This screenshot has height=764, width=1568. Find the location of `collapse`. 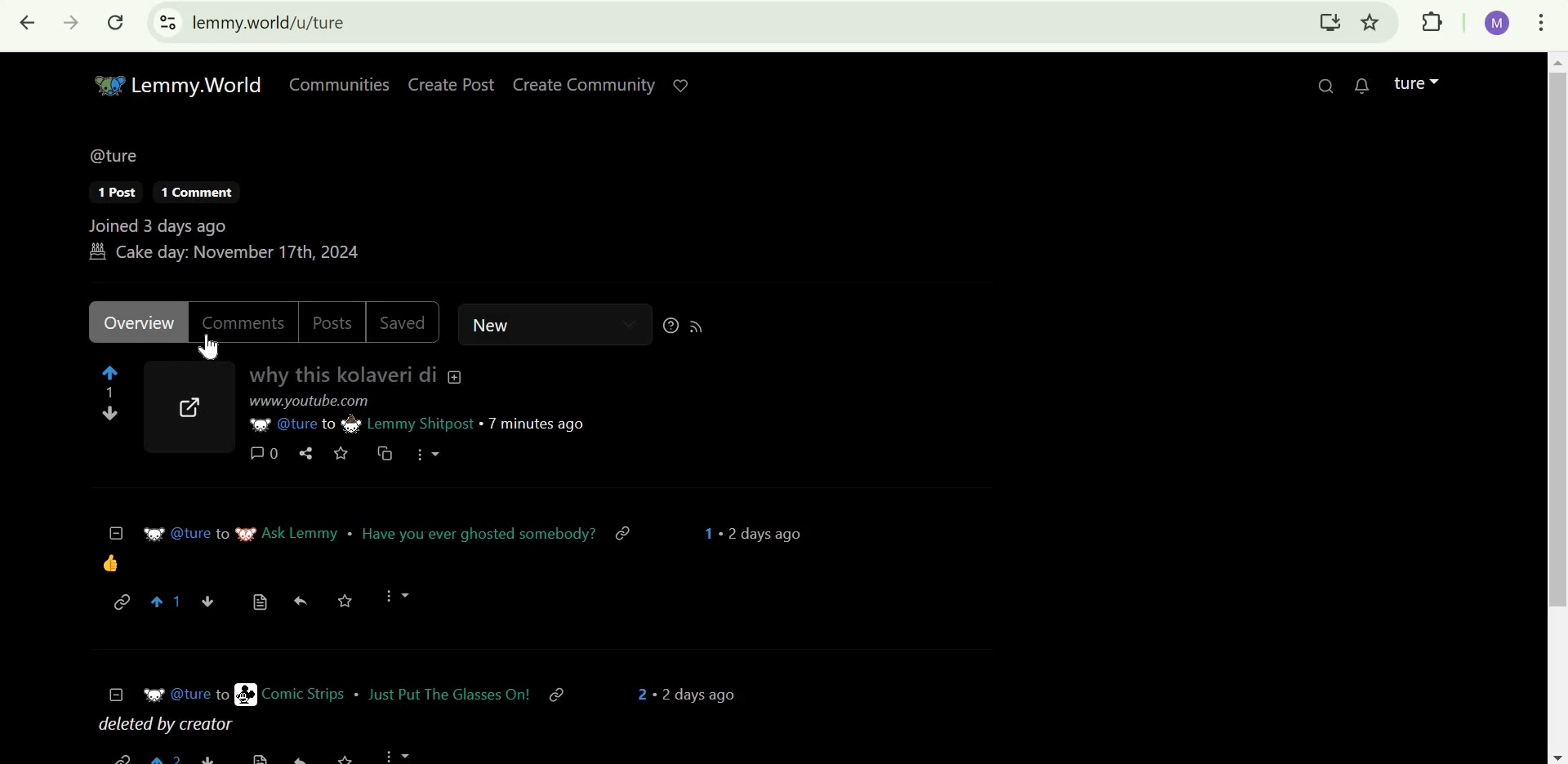

collapse is located at coordinates (116, 531).